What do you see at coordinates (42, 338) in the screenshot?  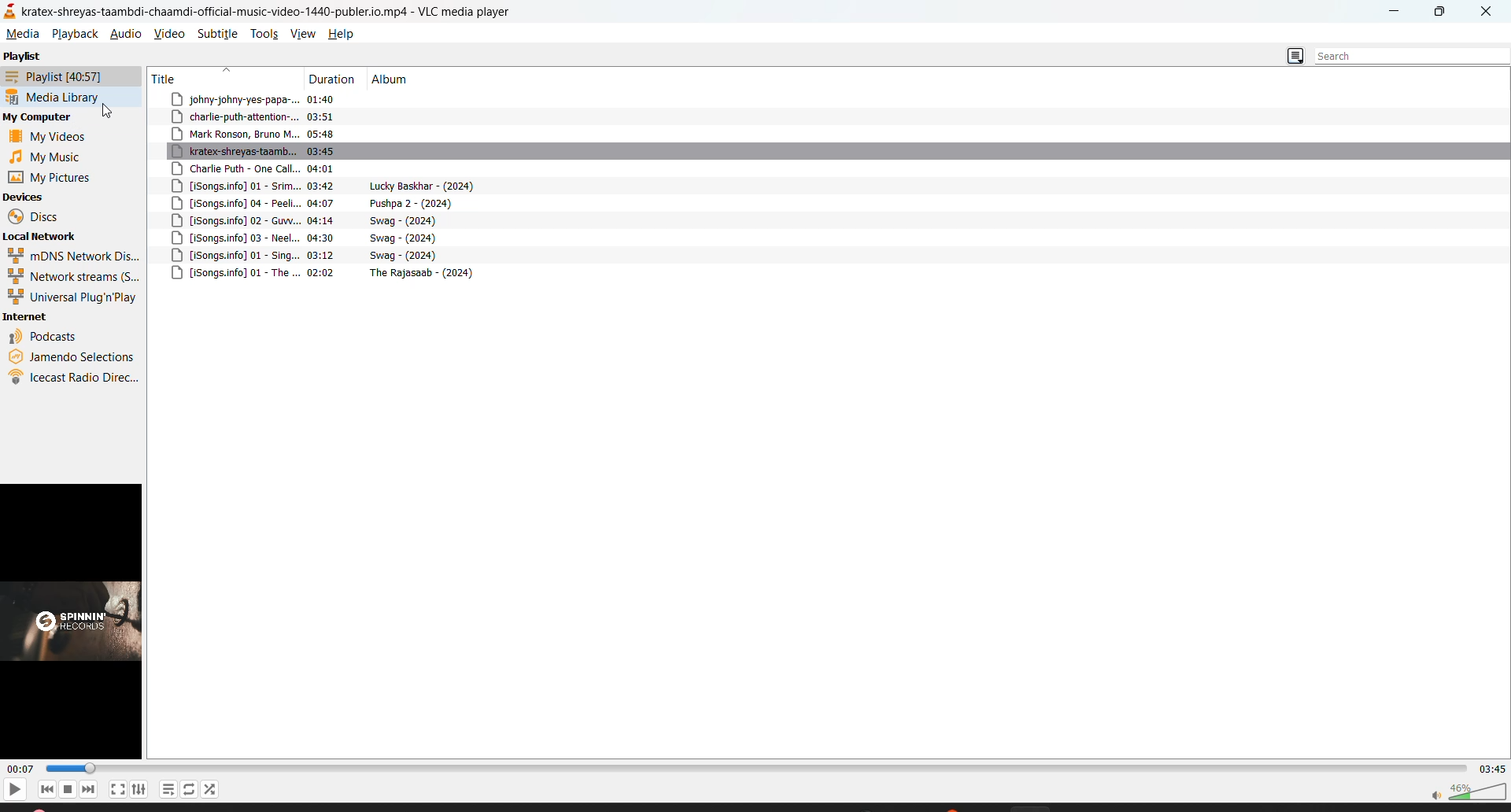 I see `podcasts` at bounding box center [42, 338].